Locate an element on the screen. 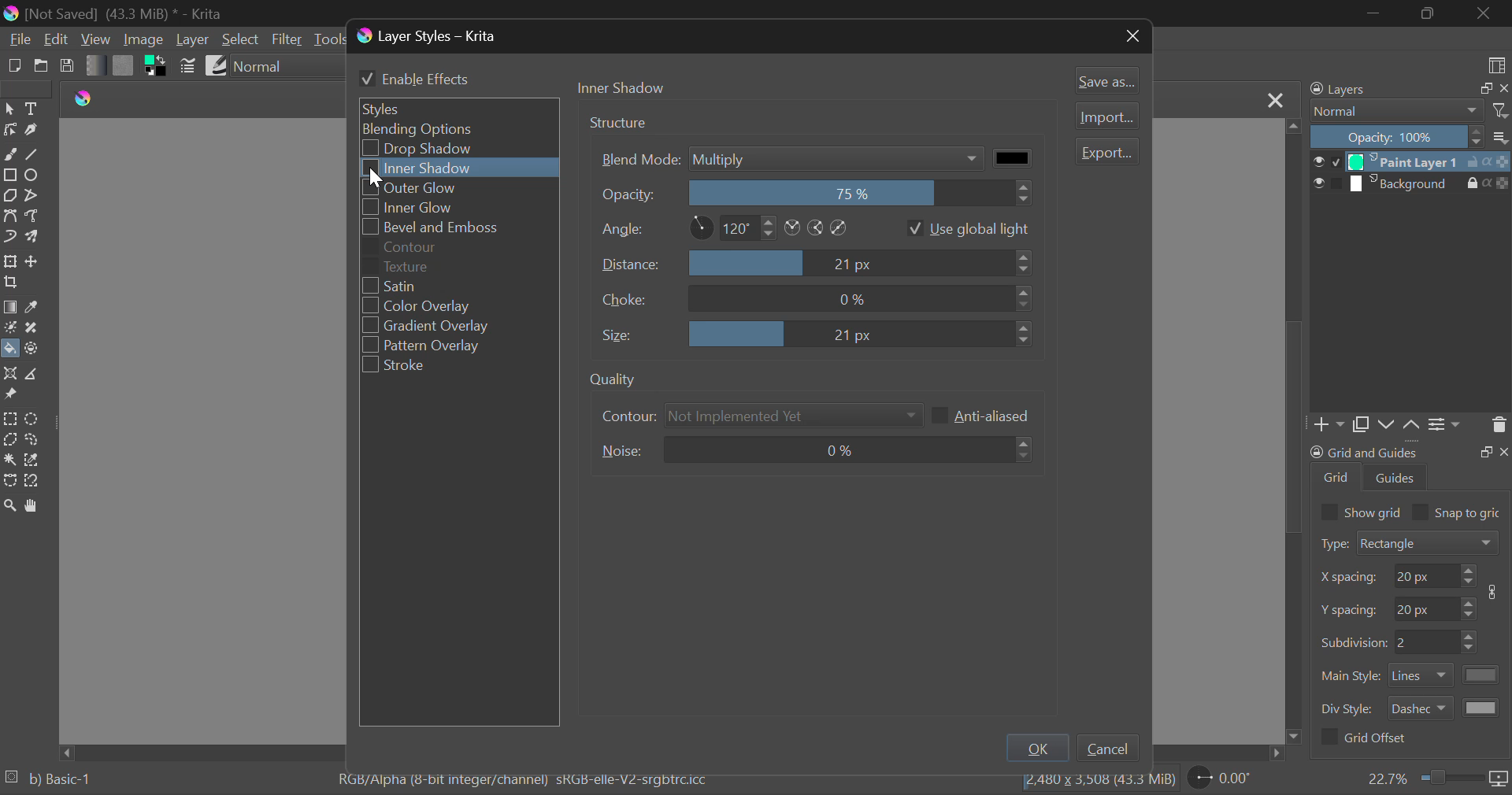 The width and height of the screenshot is (1512, 795). Blend Mode Multiply Selected is located at coordinates (818, 155).